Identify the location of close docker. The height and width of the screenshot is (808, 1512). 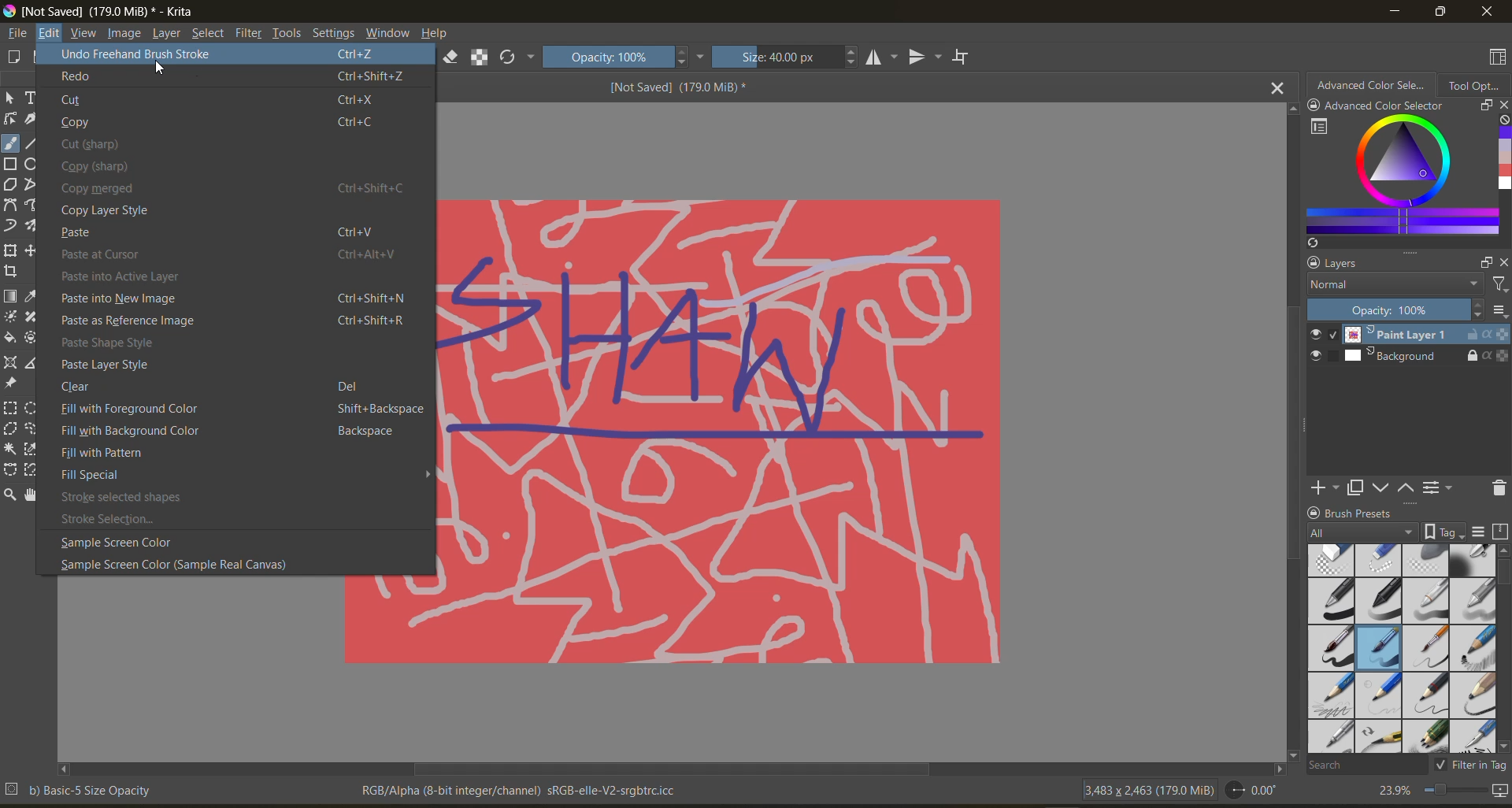
(1503, 261).